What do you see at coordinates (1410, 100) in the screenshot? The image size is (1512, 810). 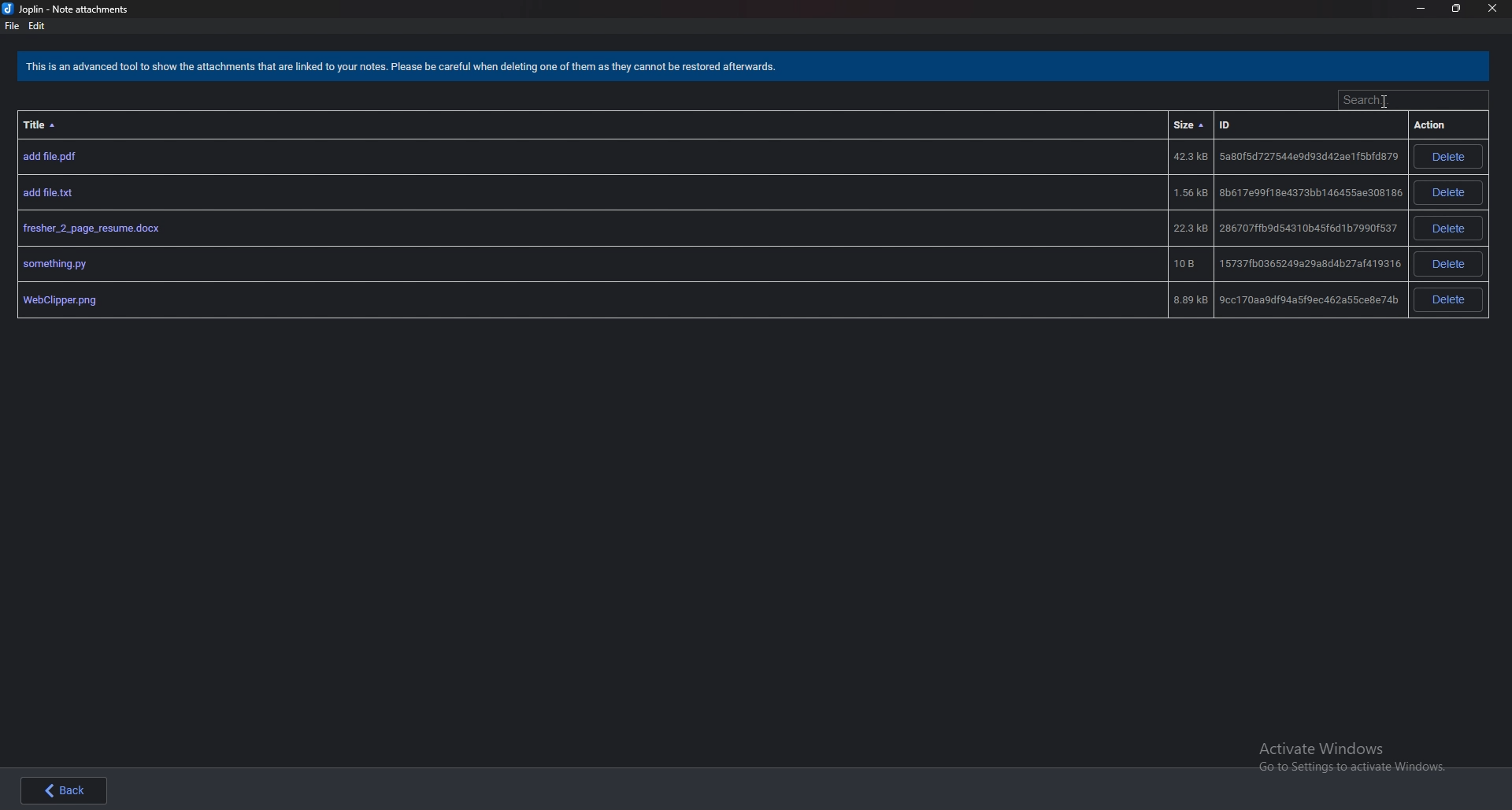 I see `Cursor on search` at bounding box center [1410, 100].